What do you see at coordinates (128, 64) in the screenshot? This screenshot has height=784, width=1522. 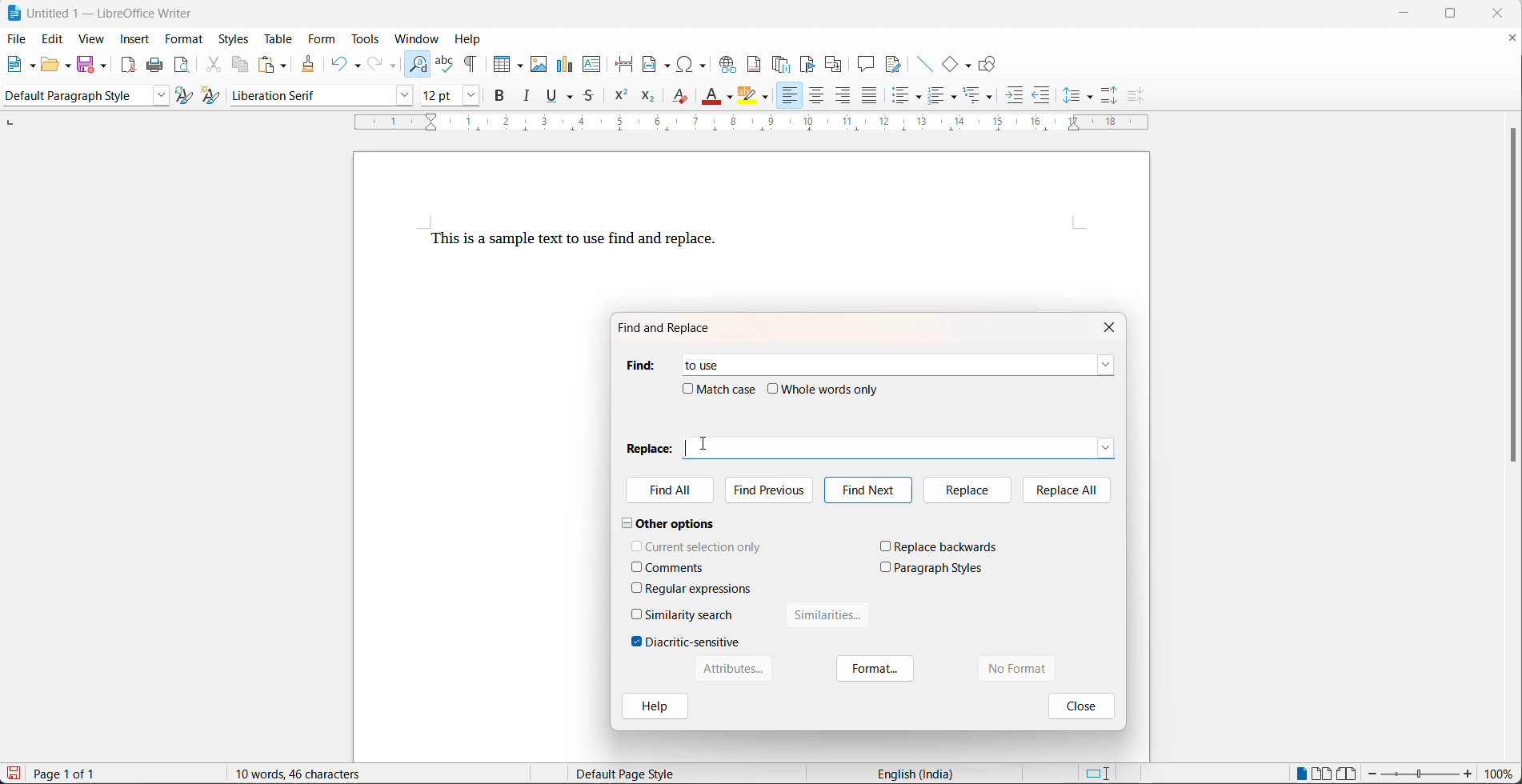 I see `export as pdf` at bounding box center [128, 64].